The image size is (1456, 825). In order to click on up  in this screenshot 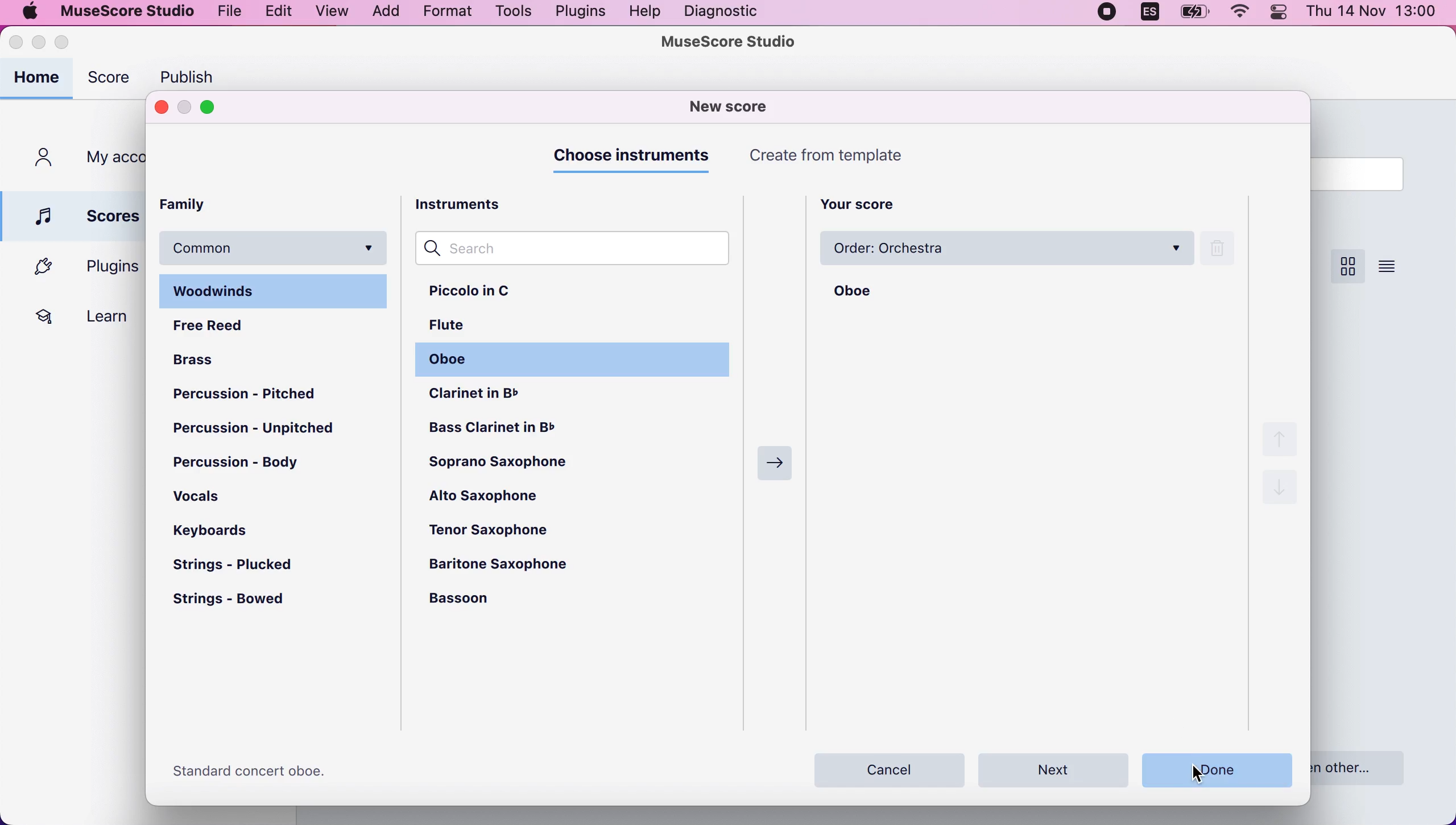, I will do `click(1278, 435)`.